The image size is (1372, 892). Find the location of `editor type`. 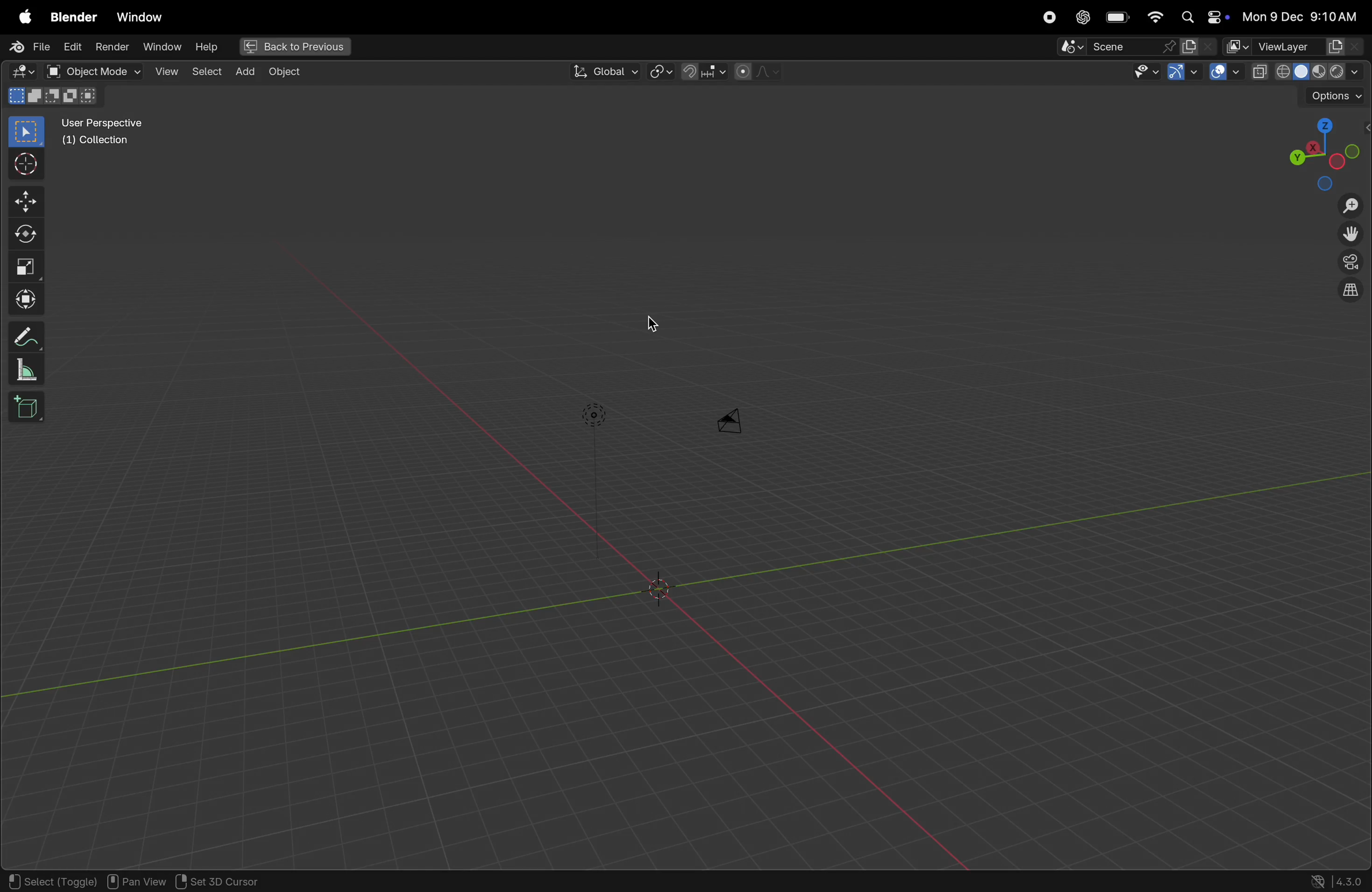

editor type is located at coordinates (18, 73).